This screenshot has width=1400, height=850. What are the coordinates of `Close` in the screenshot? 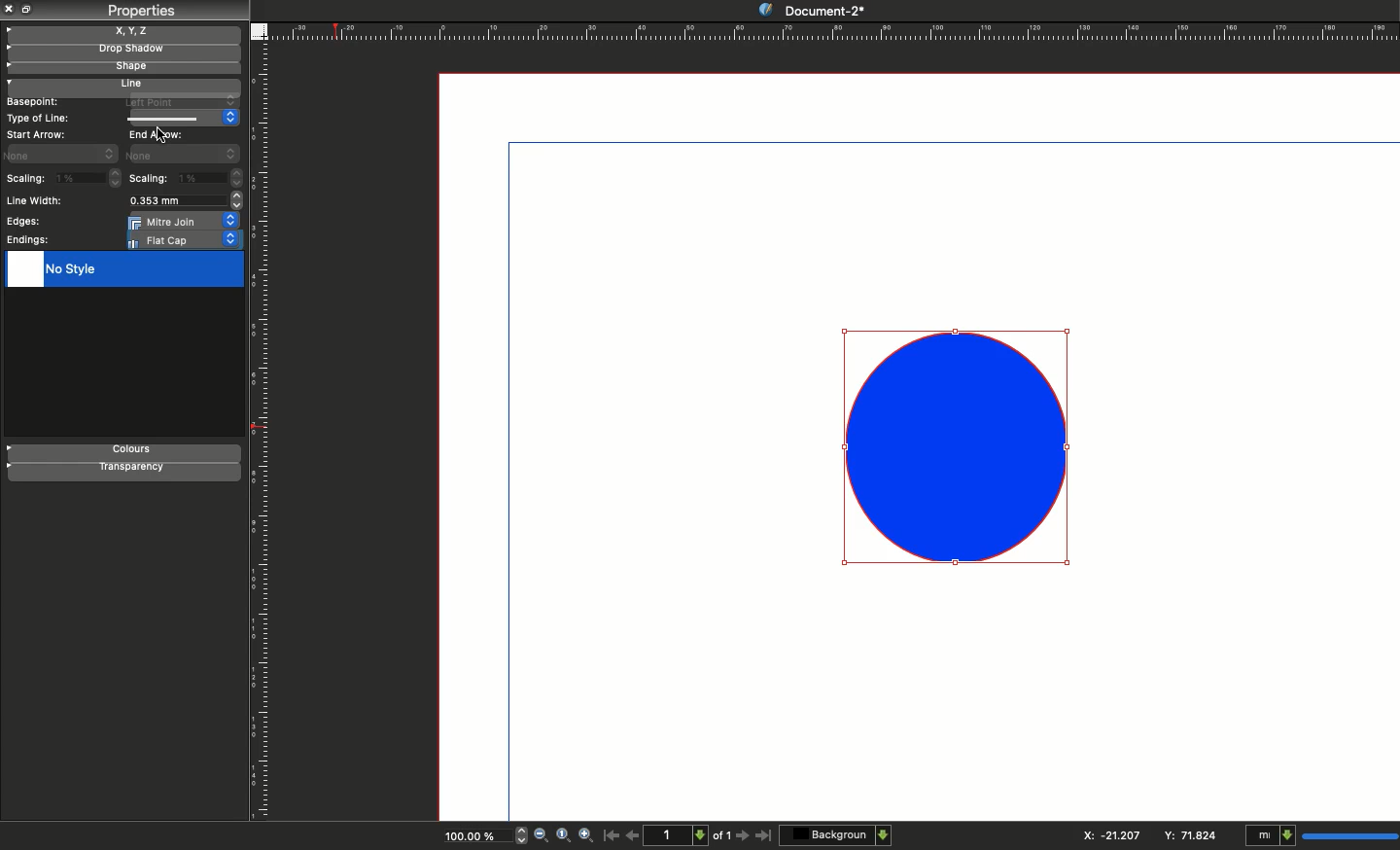 It's located at (10, 9).